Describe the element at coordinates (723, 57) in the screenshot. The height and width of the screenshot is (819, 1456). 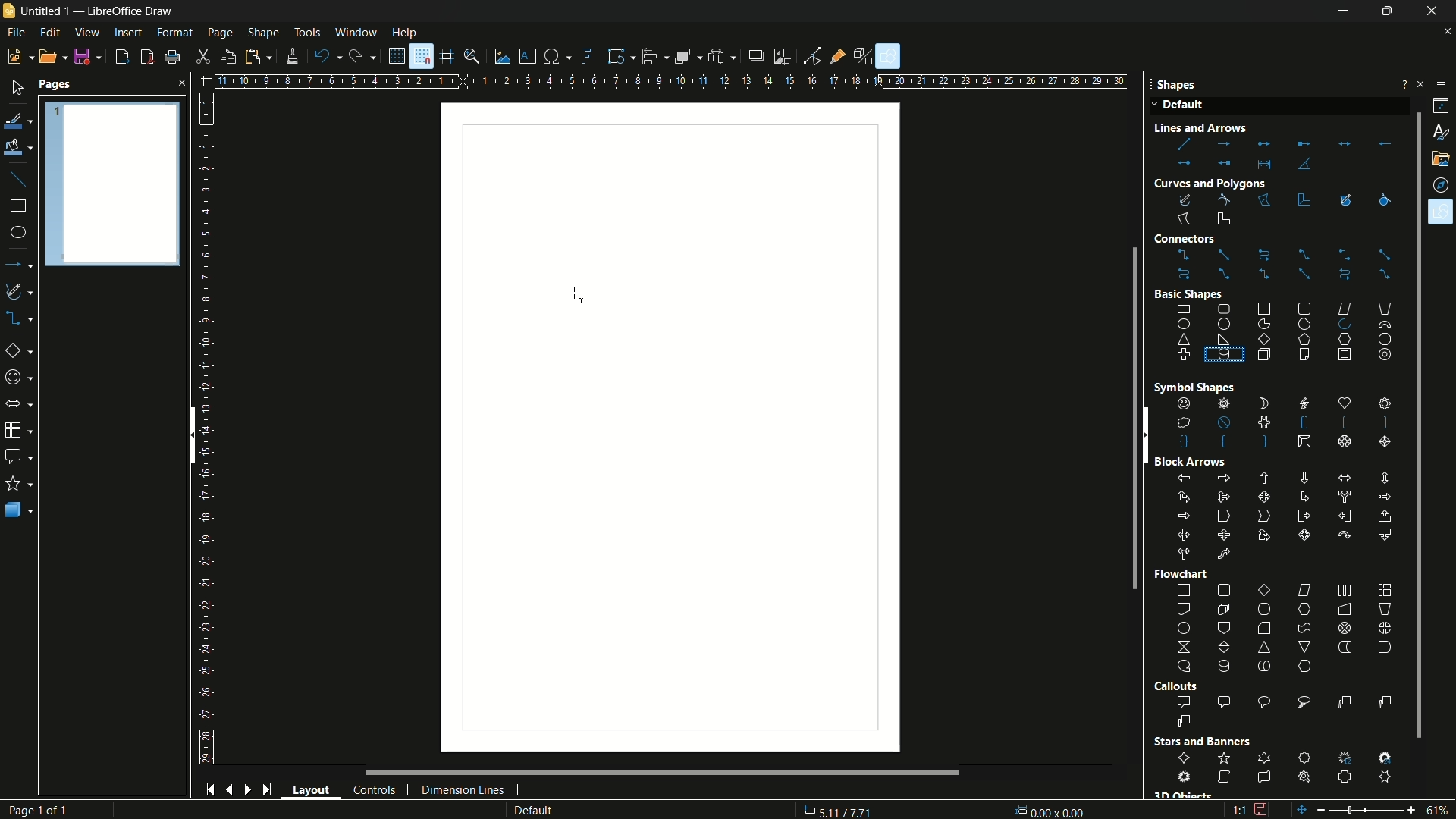
I see `select at least three objects to distribute` at that location.